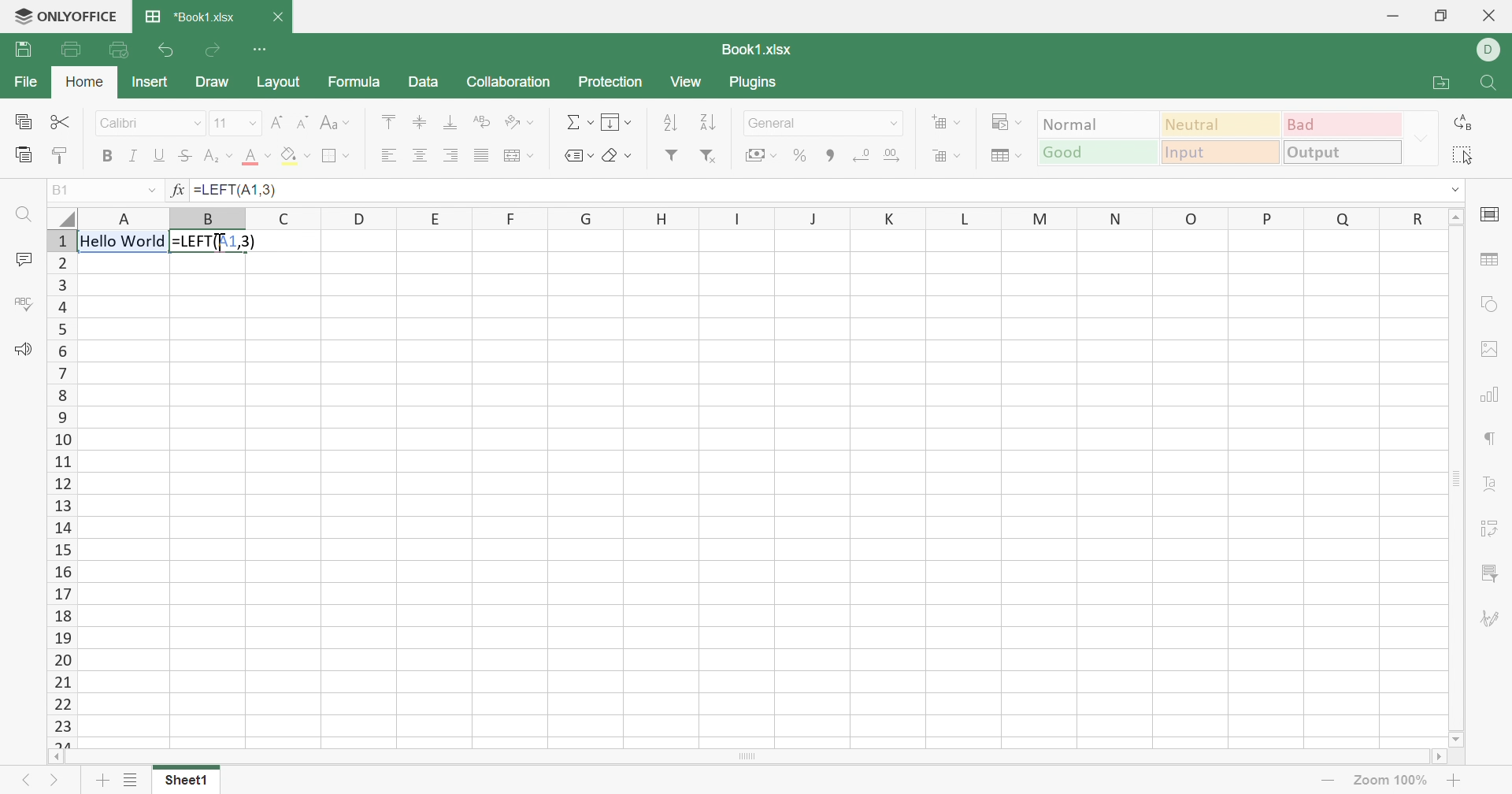 Image resolution: width=1512 pixels, height=794 pixels. I want to click on DELL, so click(1491, 50).